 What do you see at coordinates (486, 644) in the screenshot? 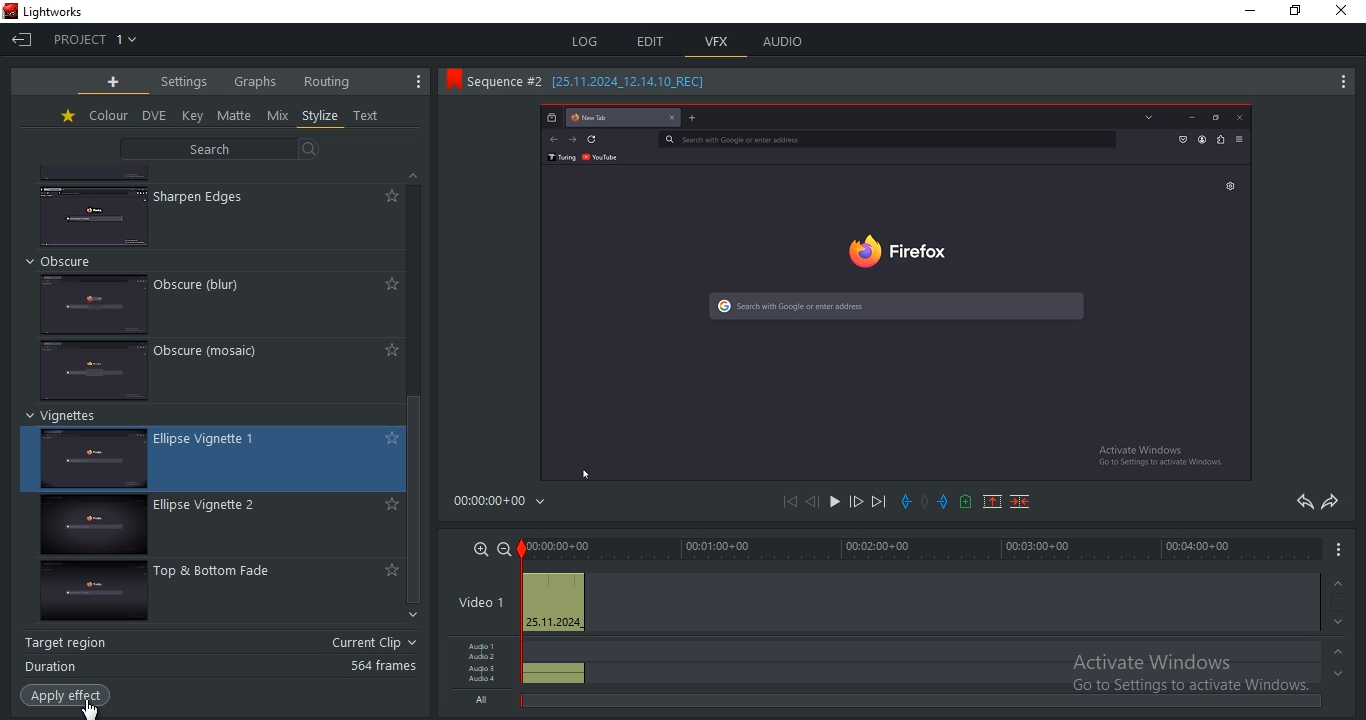
I see `Audio 1` at bounding box center [486, 644].